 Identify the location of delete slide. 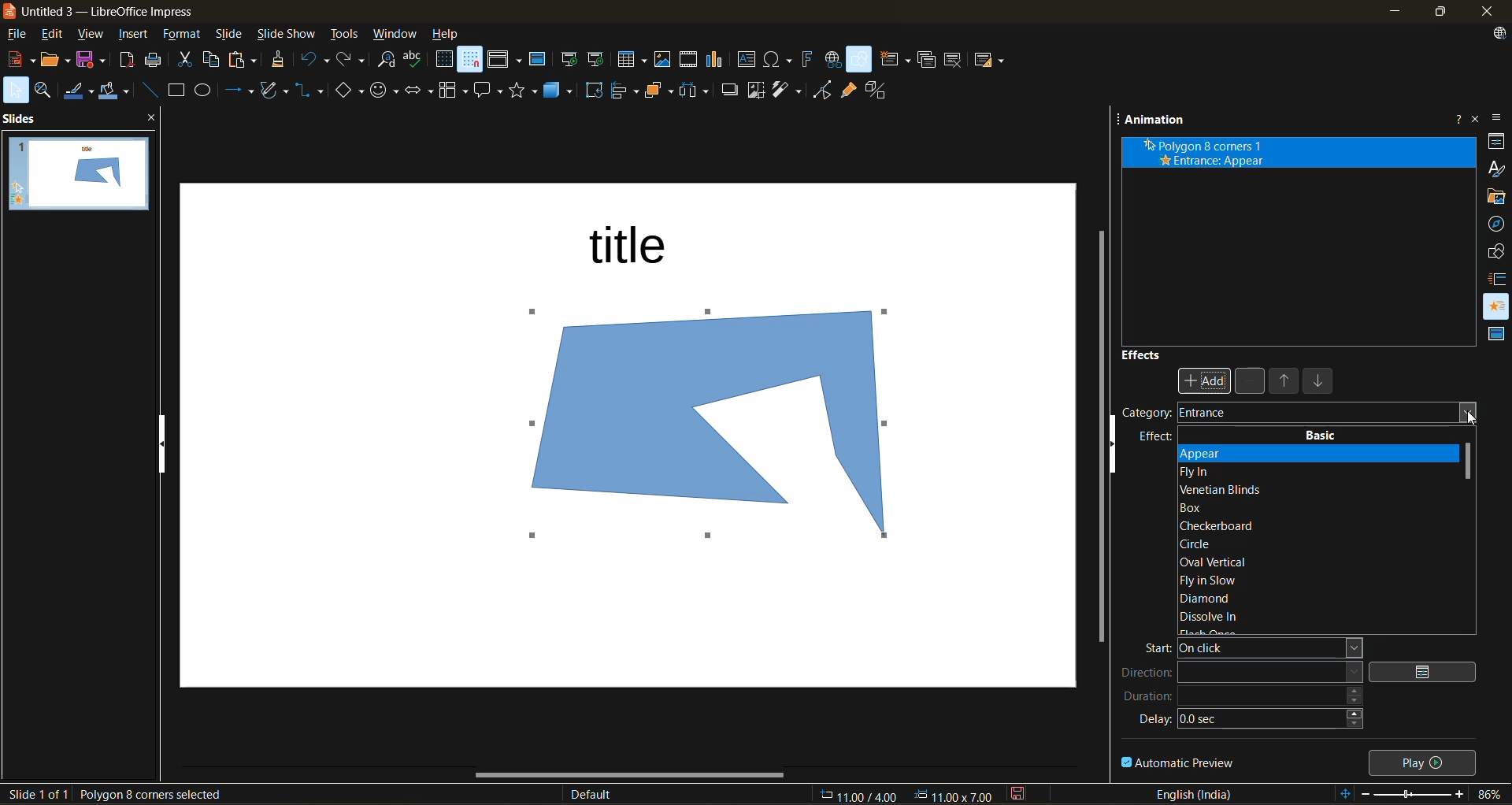
(954, 63).